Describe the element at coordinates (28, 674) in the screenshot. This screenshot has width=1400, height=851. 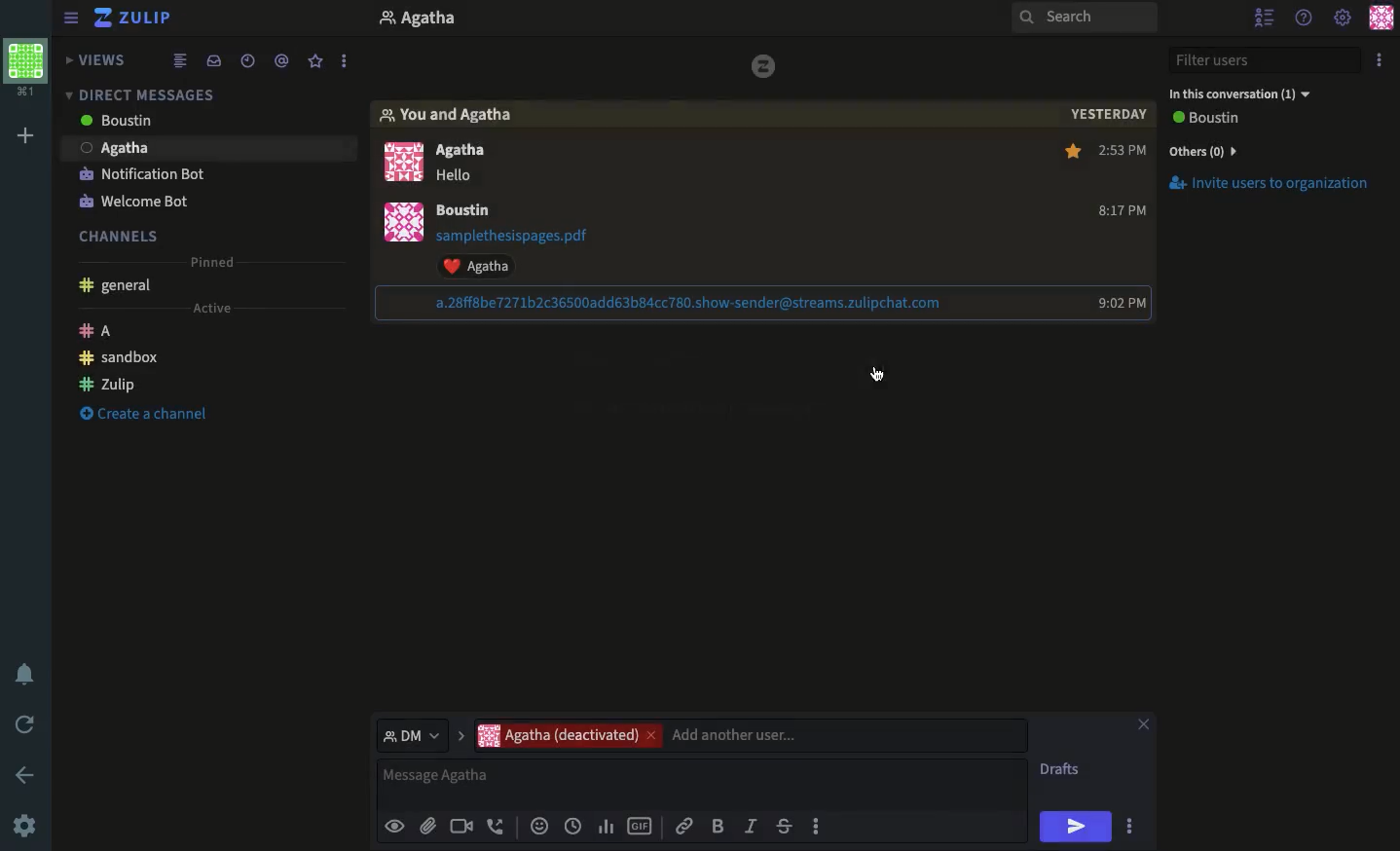
I see `Notification` at that location.